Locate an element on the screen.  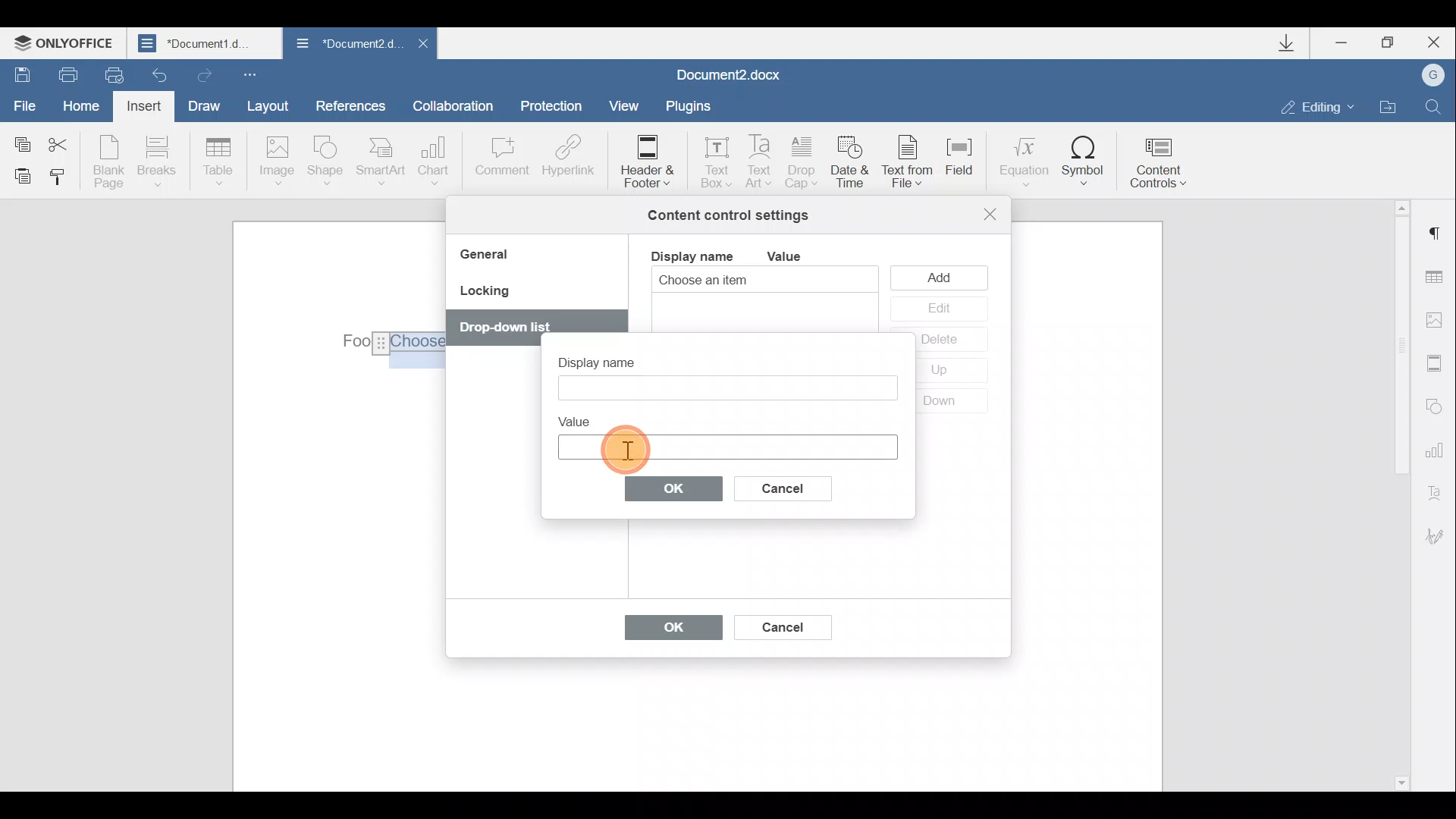
Text box is located at coordinates (726, 447).